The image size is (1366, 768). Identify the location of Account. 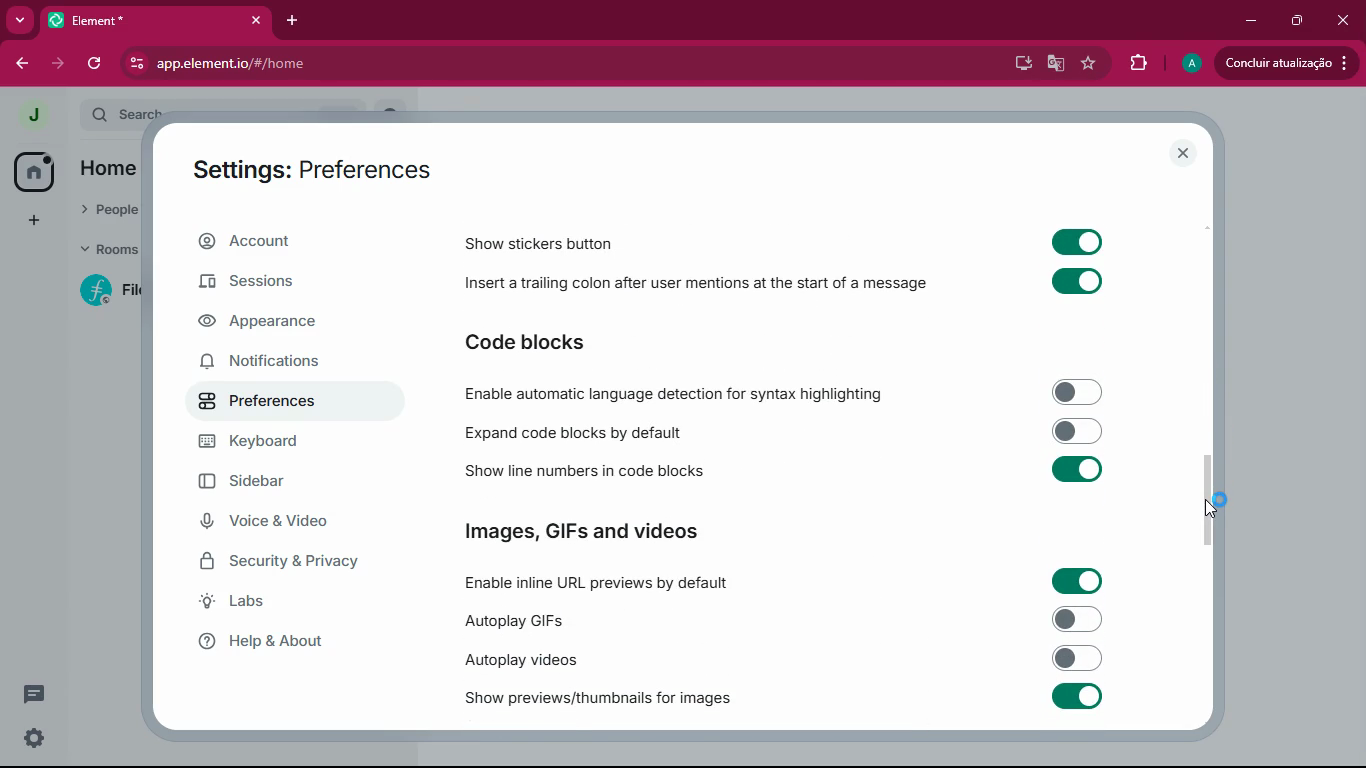
(283, 241).